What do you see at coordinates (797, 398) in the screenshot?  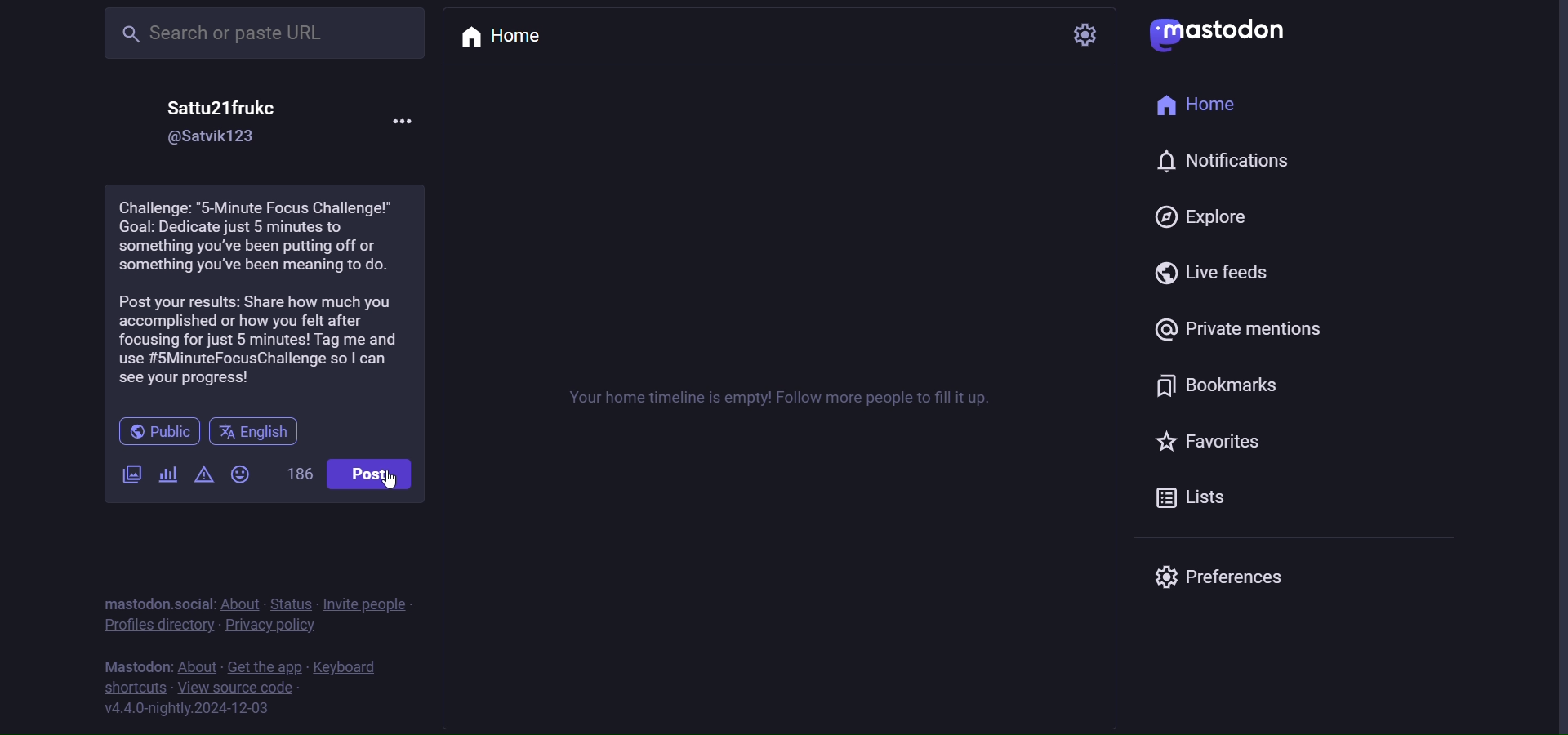 I see `your home timeline is empty` at bounding box center [797, 398].